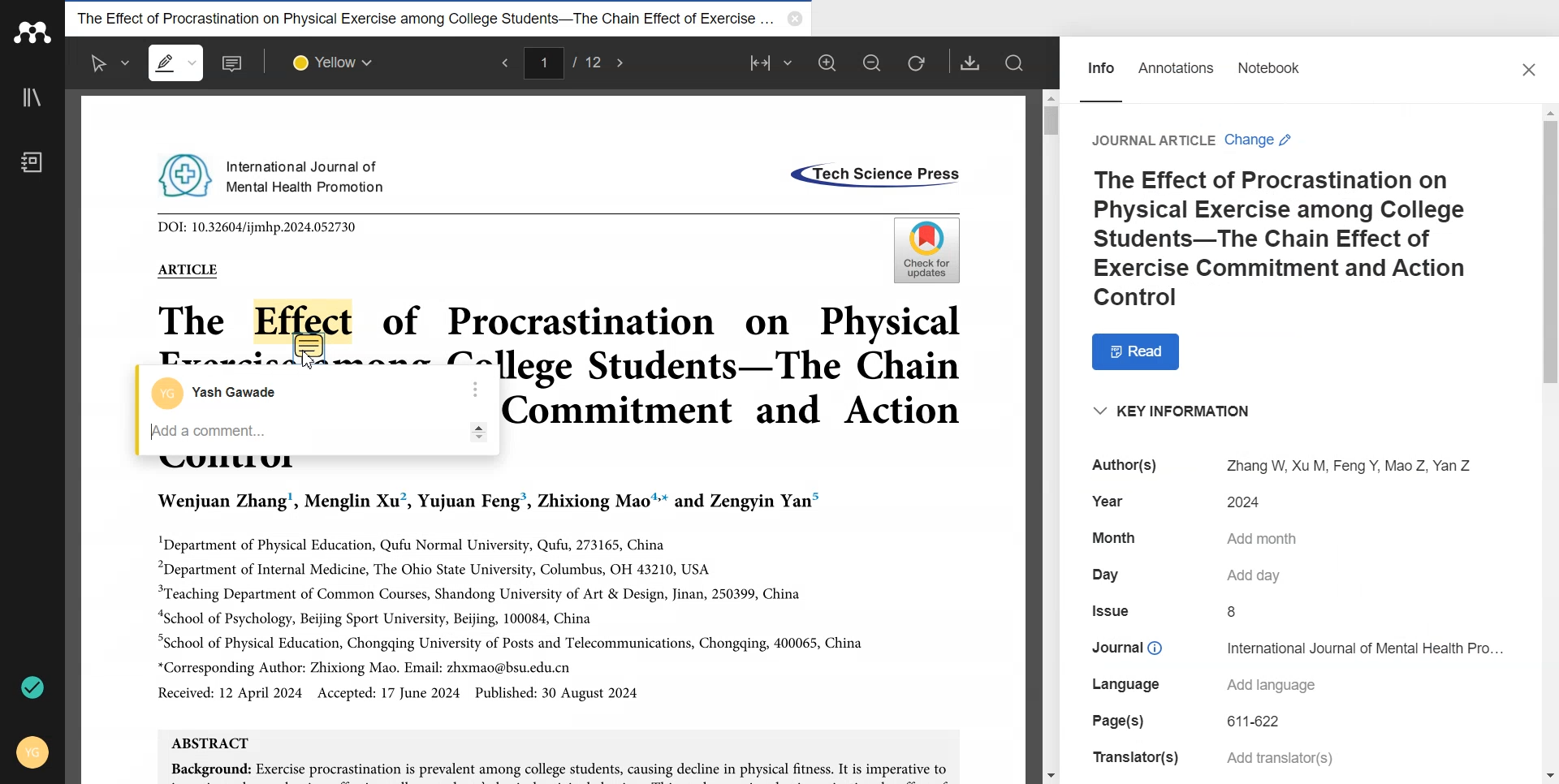 The width and height of the screenshot is (1559, 784). What do you see at coordinates (34, 690) in the screenshot?
I see `Auto sync` at bounding box center [34, 690].